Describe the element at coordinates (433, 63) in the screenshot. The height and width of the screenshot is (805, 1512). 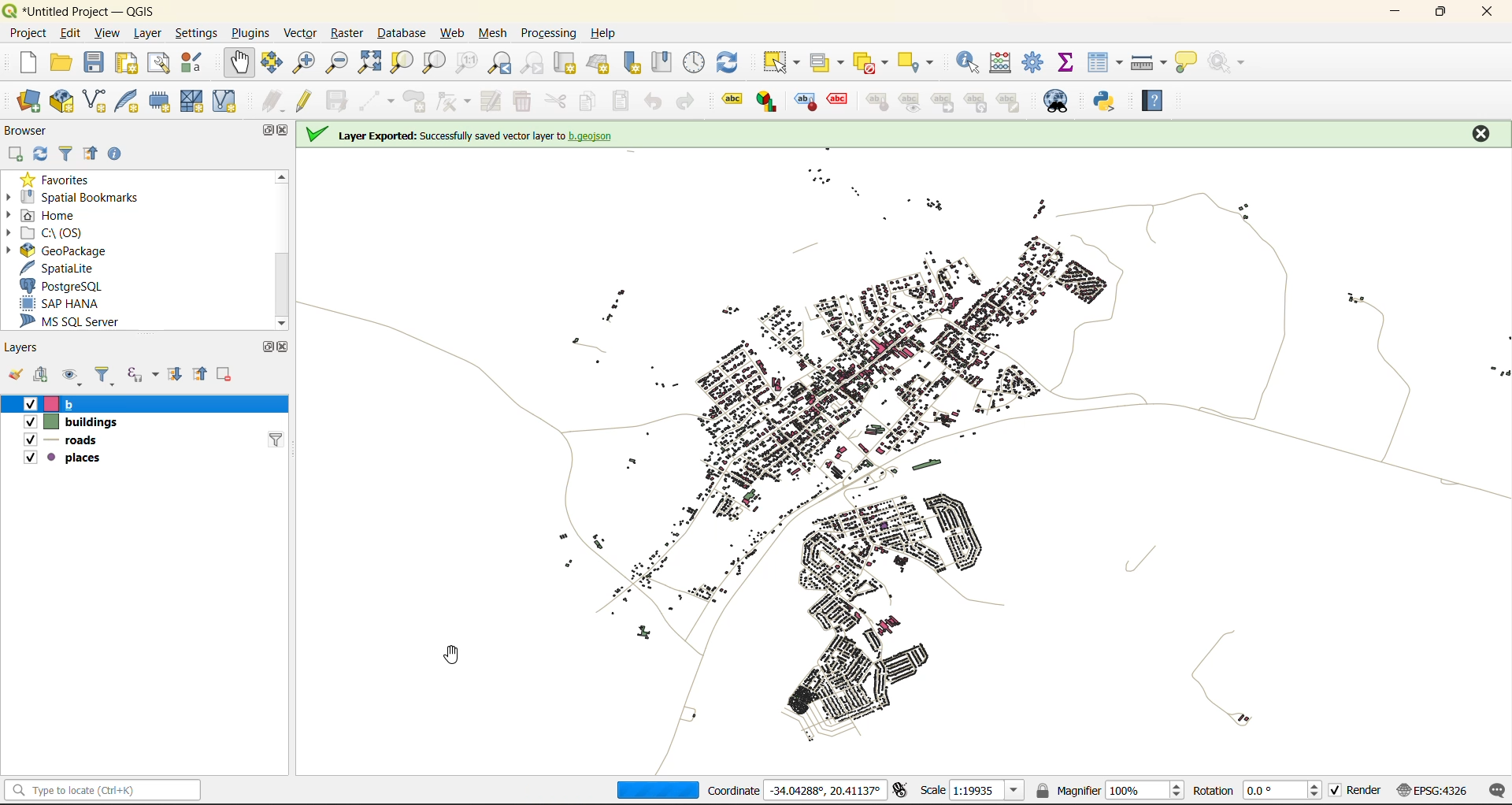
I see `zoom layer` at that location.